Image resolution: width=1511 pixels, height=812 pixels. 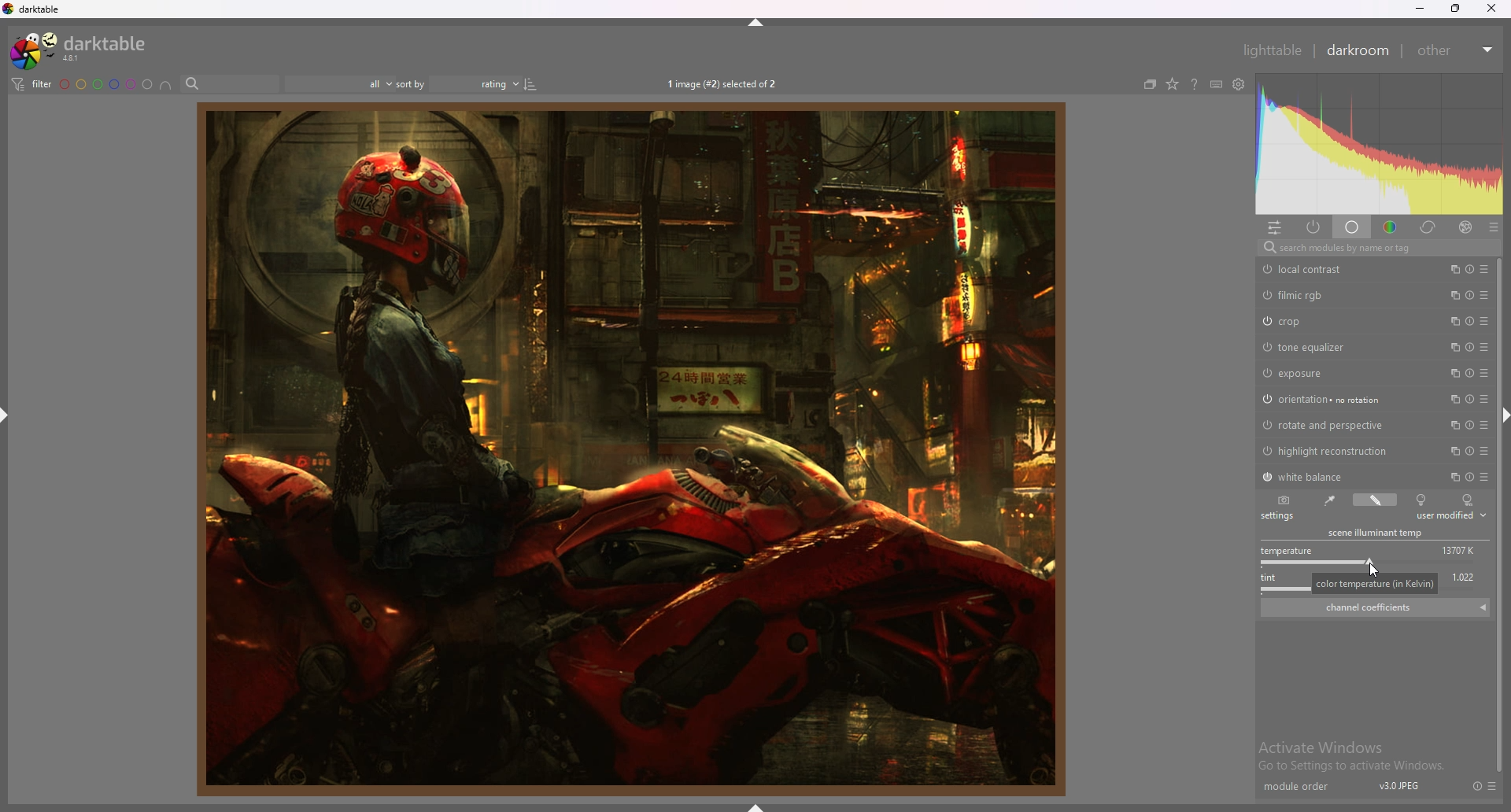 What do you see at coordinates (1454, 320) in the screenshot?
I see `multiple instances action` at bounding box center [1454, 320].